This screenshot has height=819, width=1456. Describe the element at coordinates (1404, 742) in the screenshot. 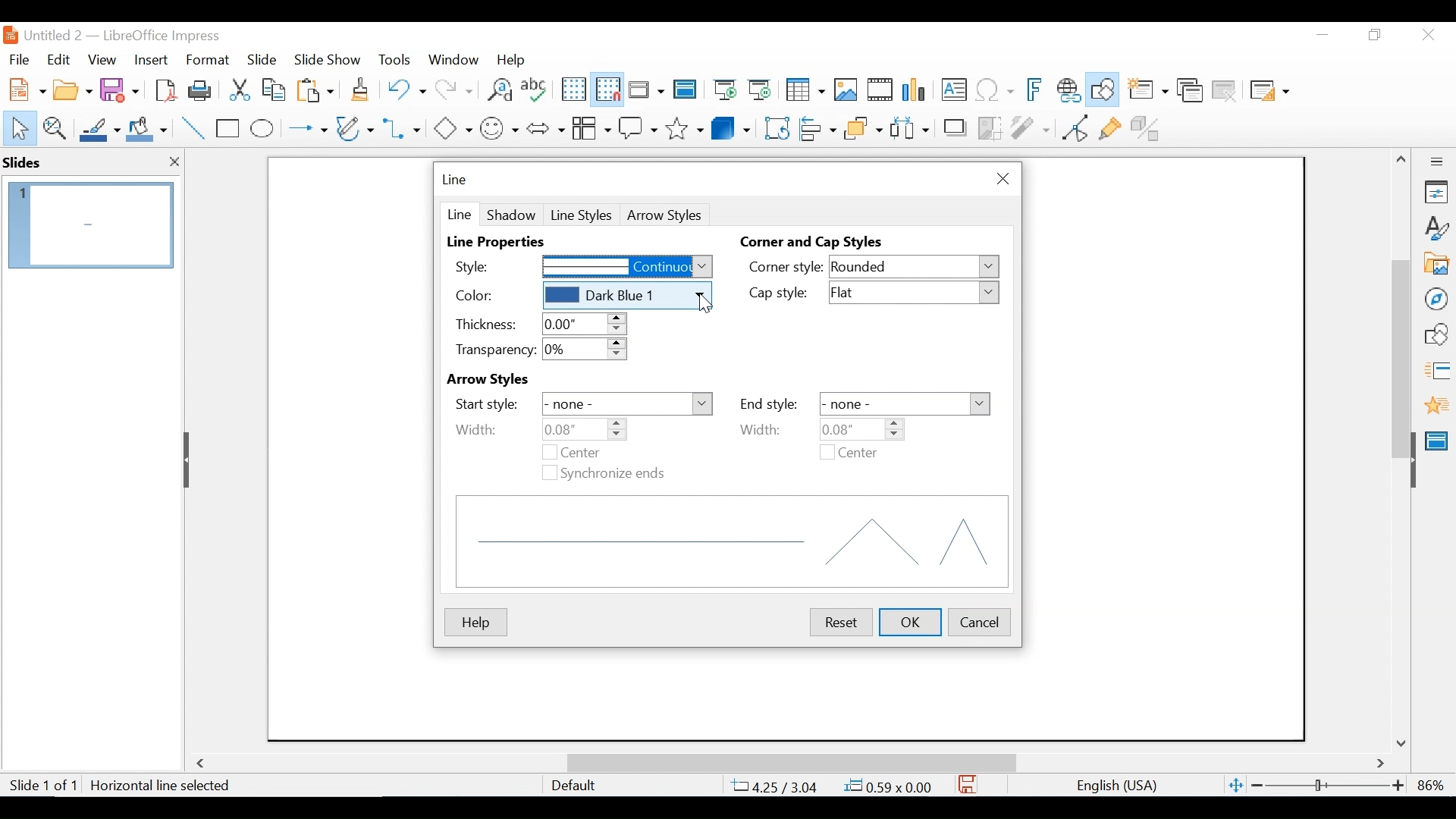

I see `Scroll down` at that location.